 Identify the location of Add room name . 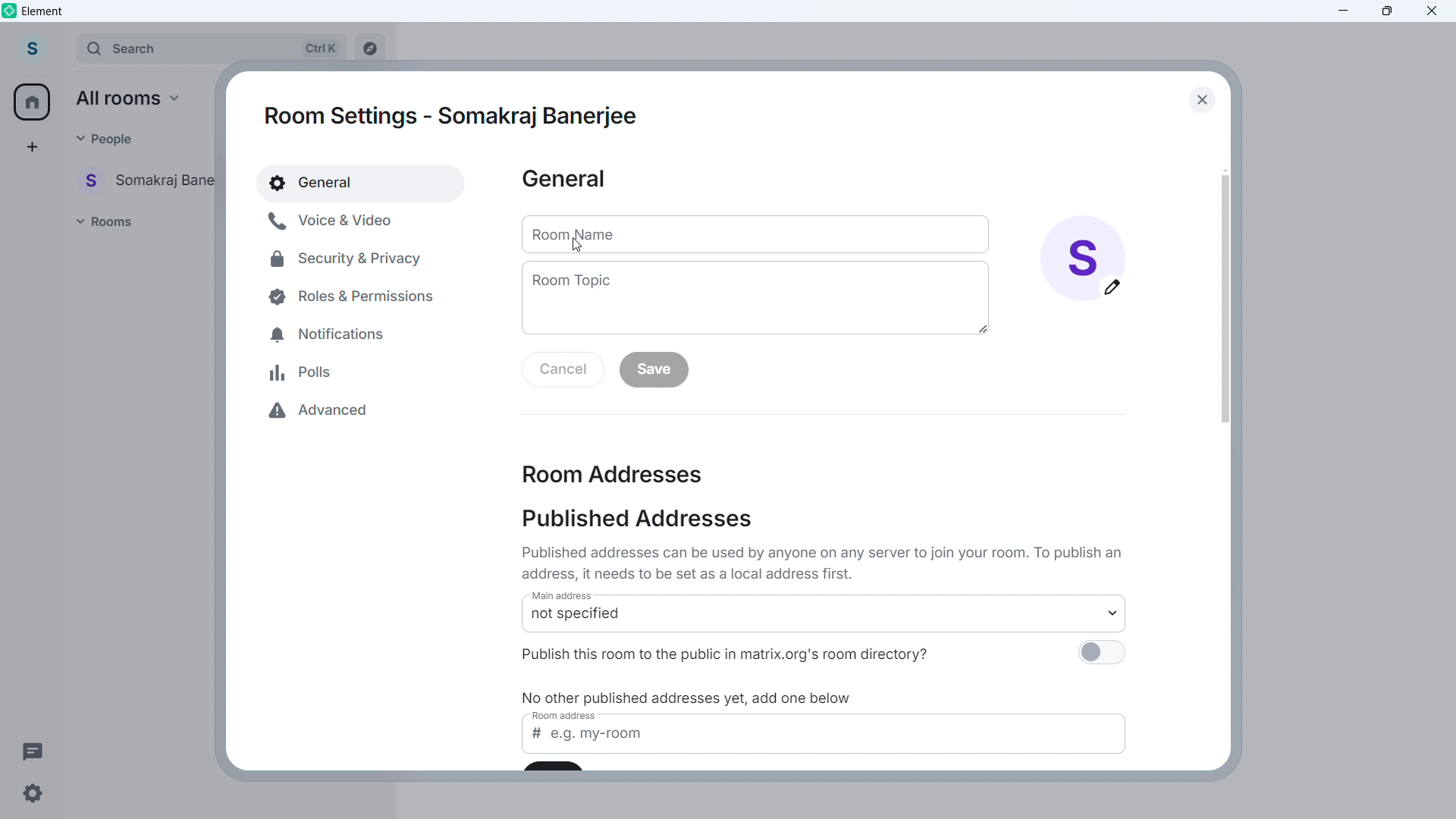
(753, 237).